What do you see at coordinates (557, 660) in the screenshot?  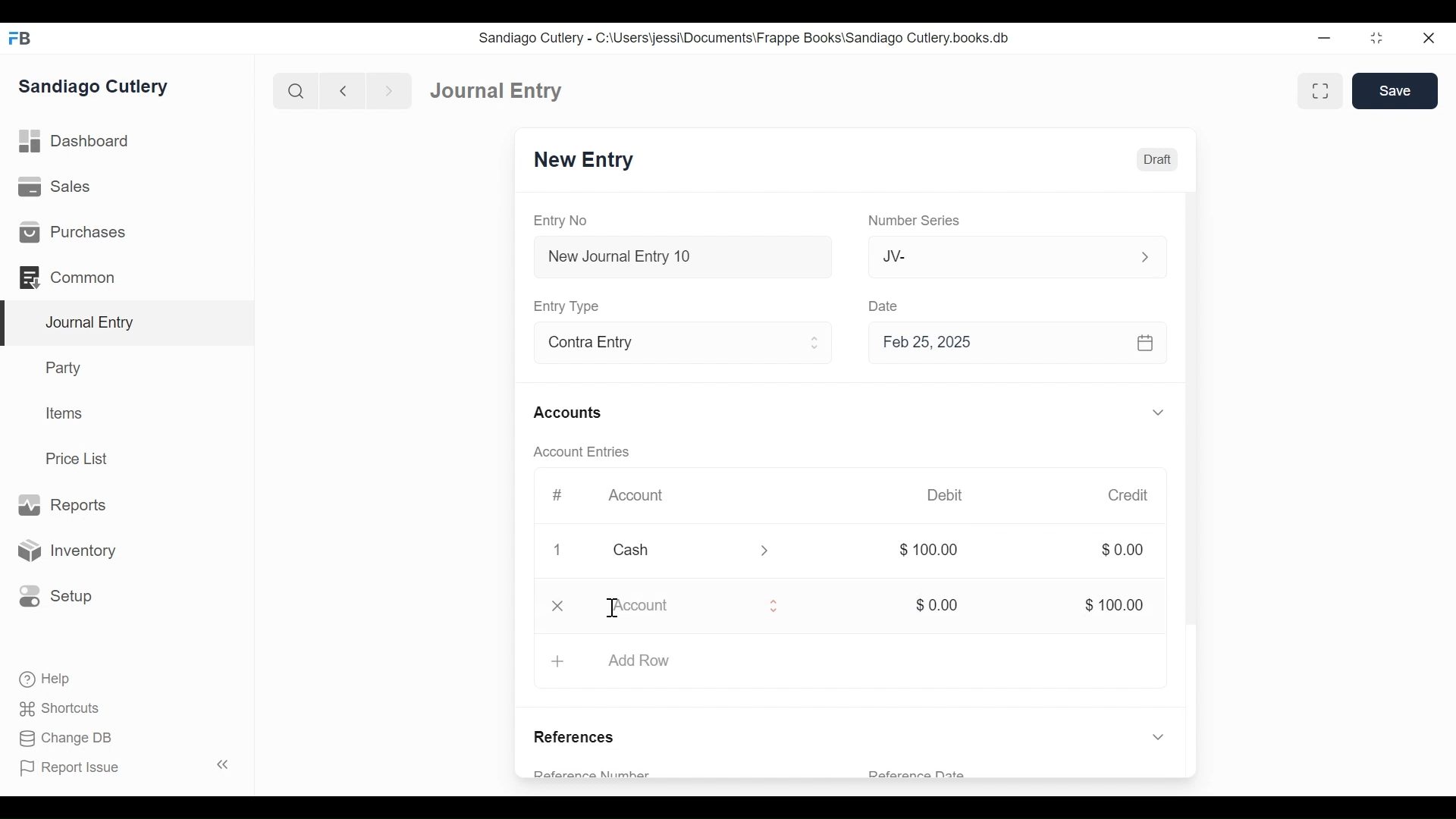 I see `+` at bounding box center [557, 660].